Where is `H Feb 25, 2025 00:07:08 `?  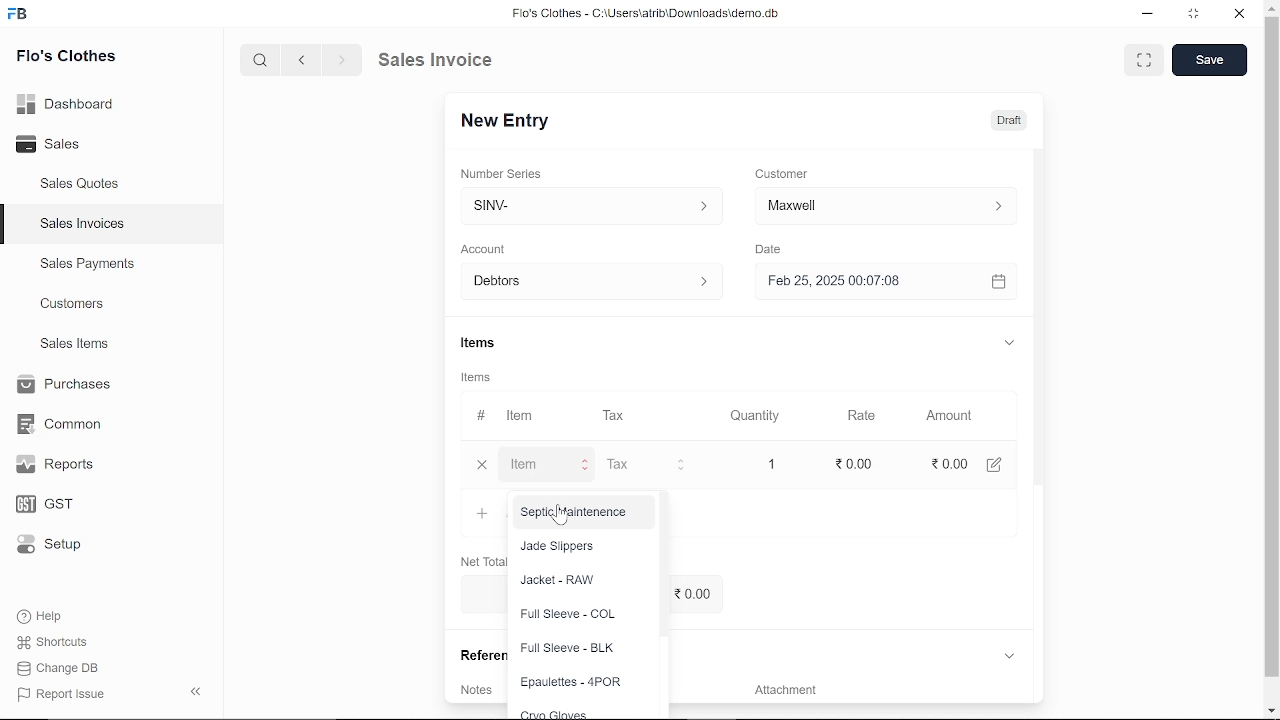
H Feb 25, 2025 00:07:08  is located at coordinates (876, 282).